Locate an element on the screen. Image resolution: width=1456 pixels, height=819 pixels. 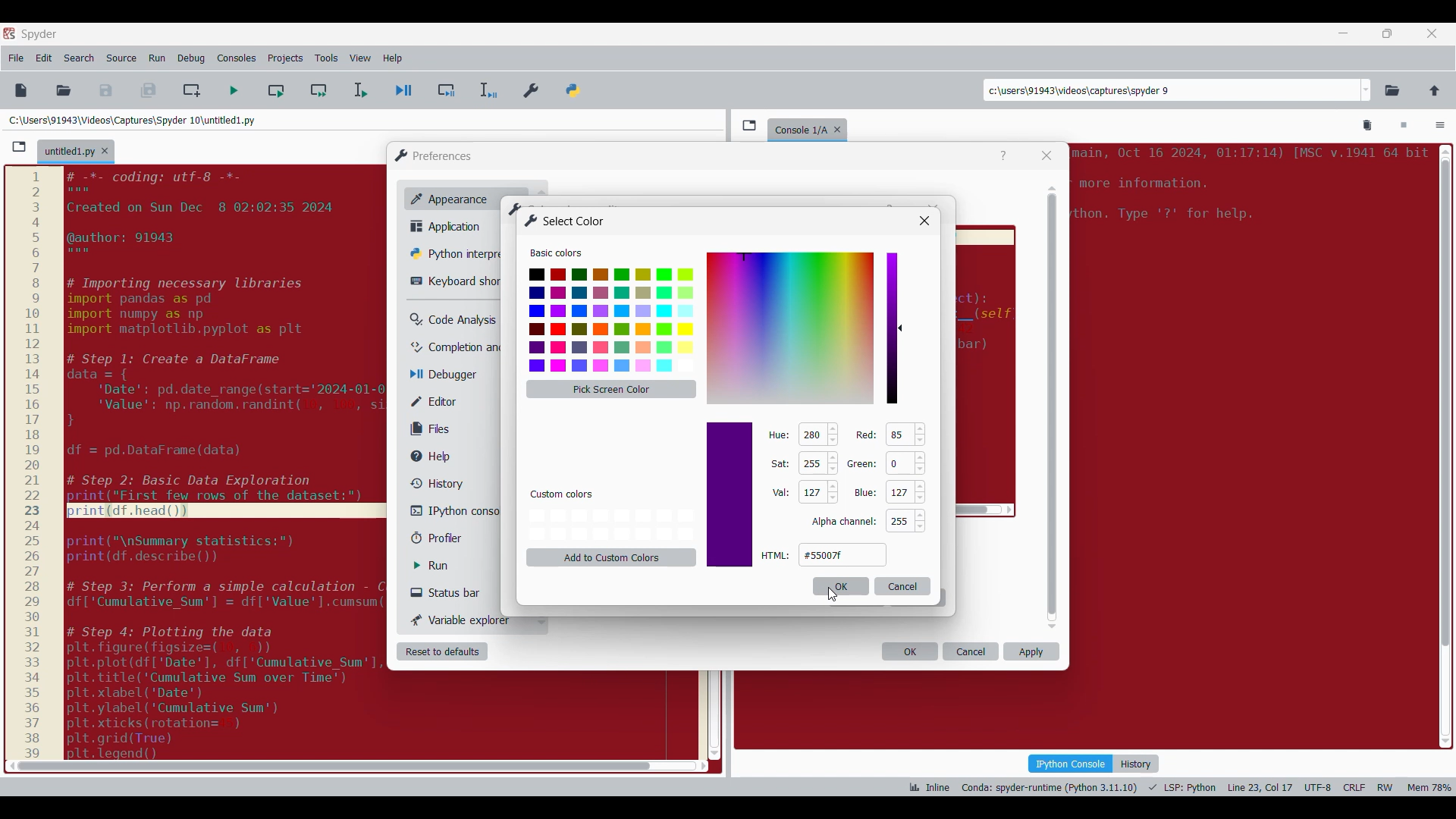
Run current cell is located at coordinates (276, 90).